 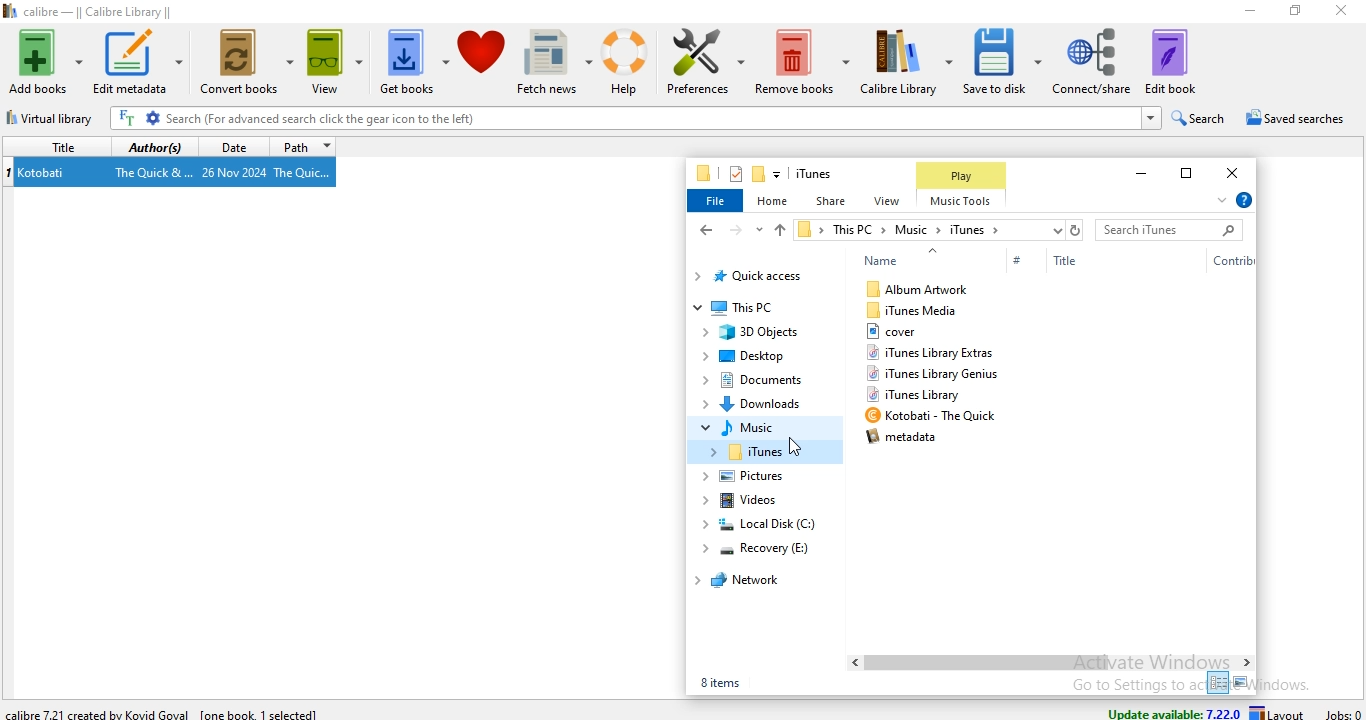 What do you see at coordinates (1169, 228) in the screenshot?
I see `search bar` at bounding box center [1169, 228].